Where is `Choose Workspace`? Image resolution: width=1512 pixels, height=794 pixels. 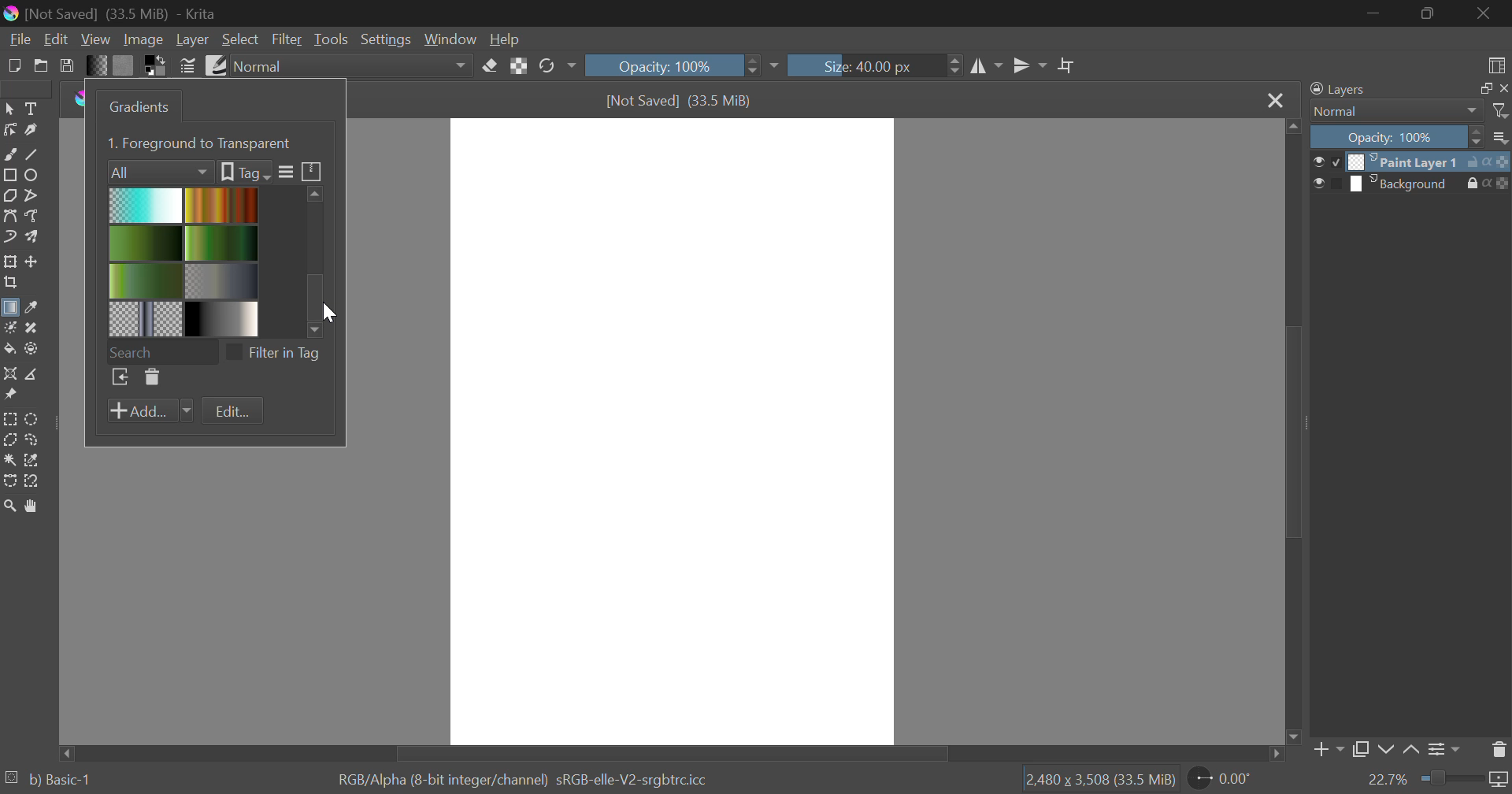 Choose Workspace is located at coordinates (1494, 62).